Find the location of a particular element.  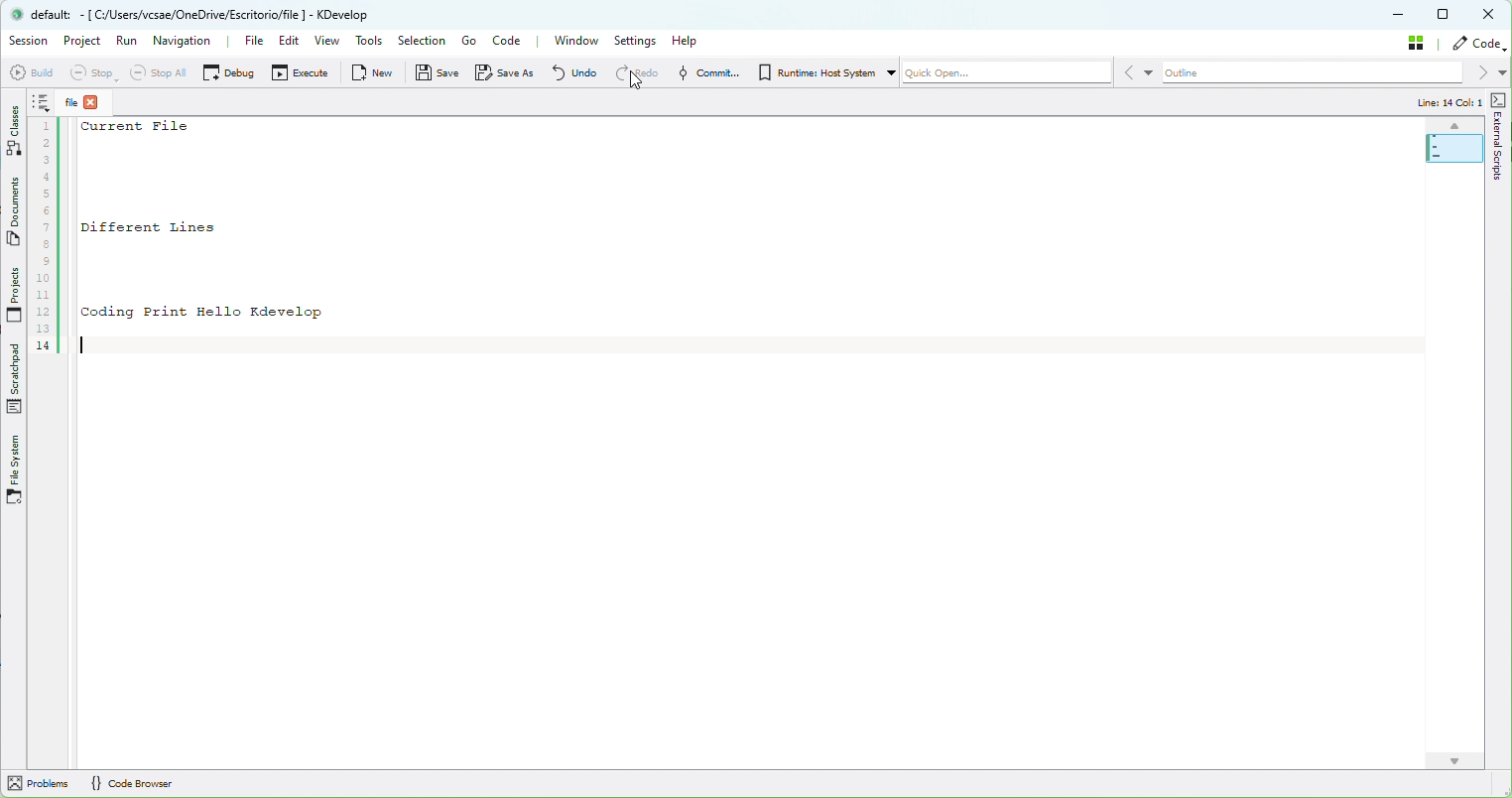

Cursor is located at coordinates (85, 347).